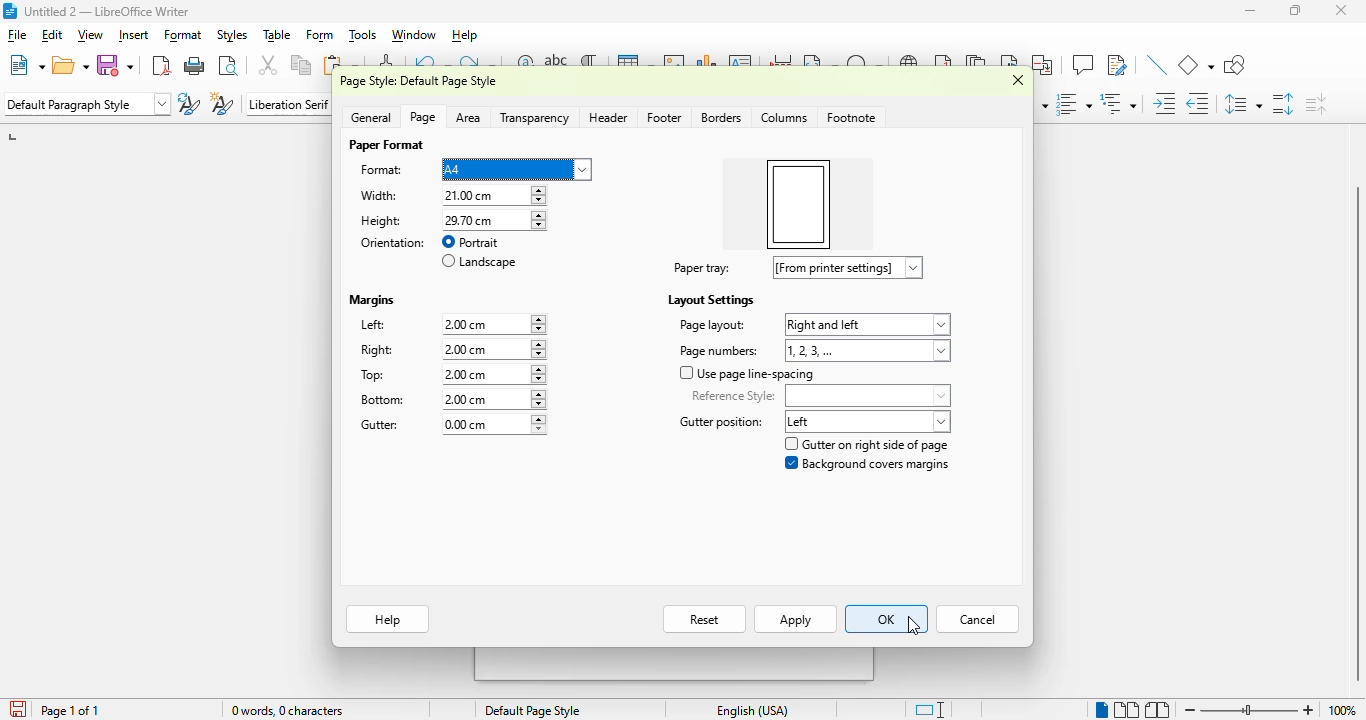 This screenshot has width=1366, height=720. Describe the element at coordinates (813, 422) in the screenshot. I see `gutter position: left` at that location.